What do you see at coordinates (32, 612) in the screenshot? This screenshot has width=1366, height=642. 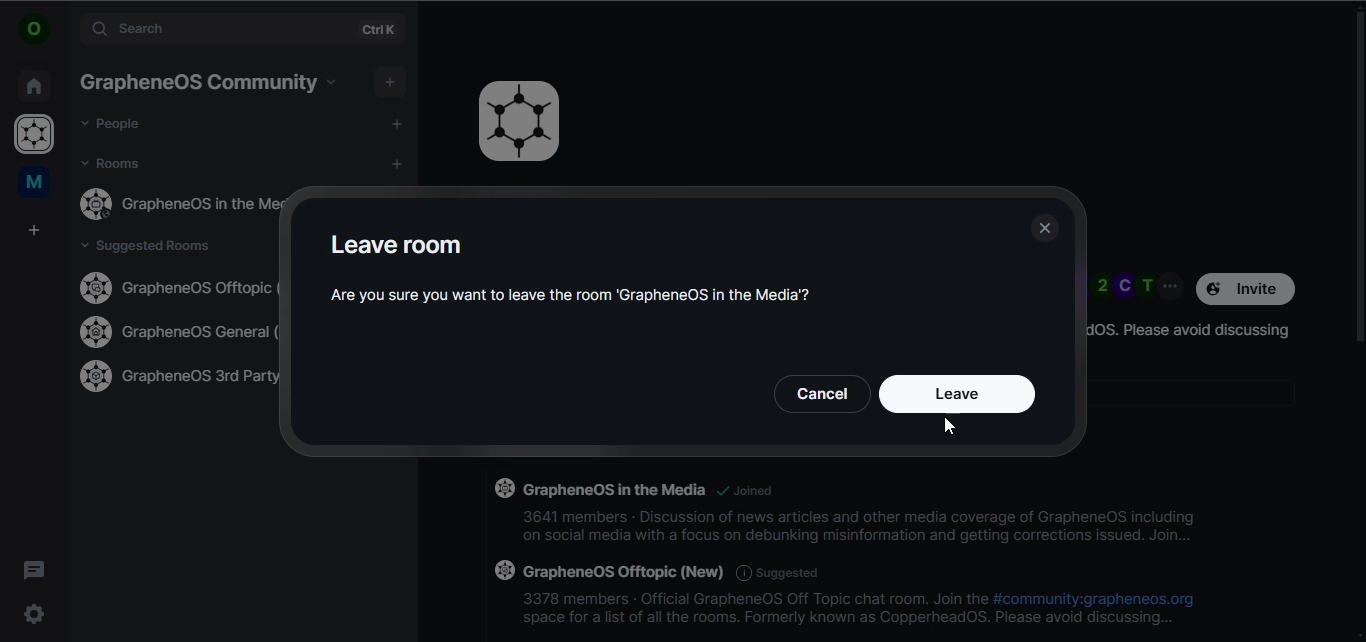 I see `quicker settings` at bounding box center [32, 612].